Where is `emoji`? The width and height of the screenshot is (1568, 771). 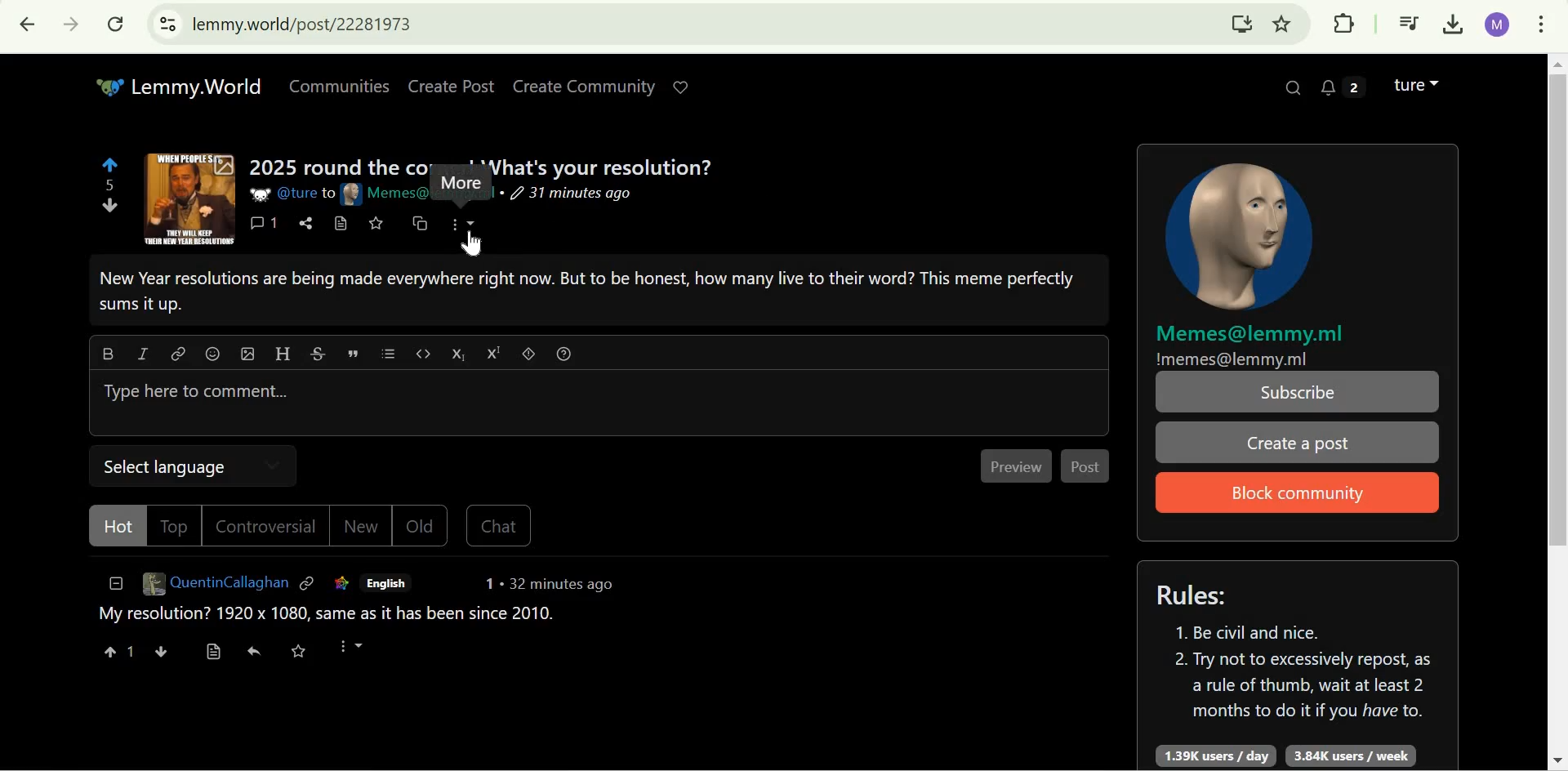
emoji is located at coordinates (213, 351).